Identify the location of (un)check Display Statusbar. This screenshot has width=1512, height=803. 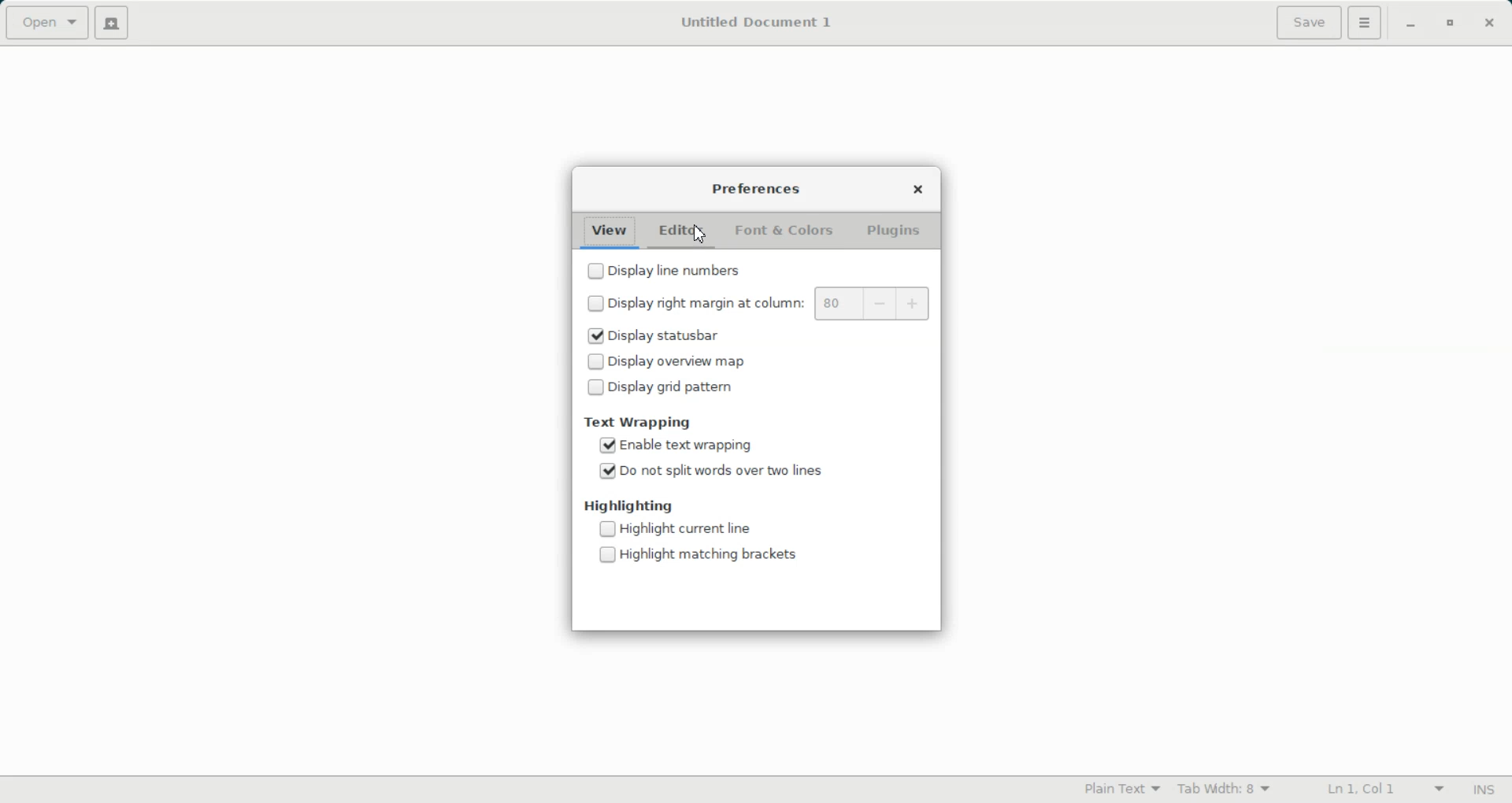
(680, 336).